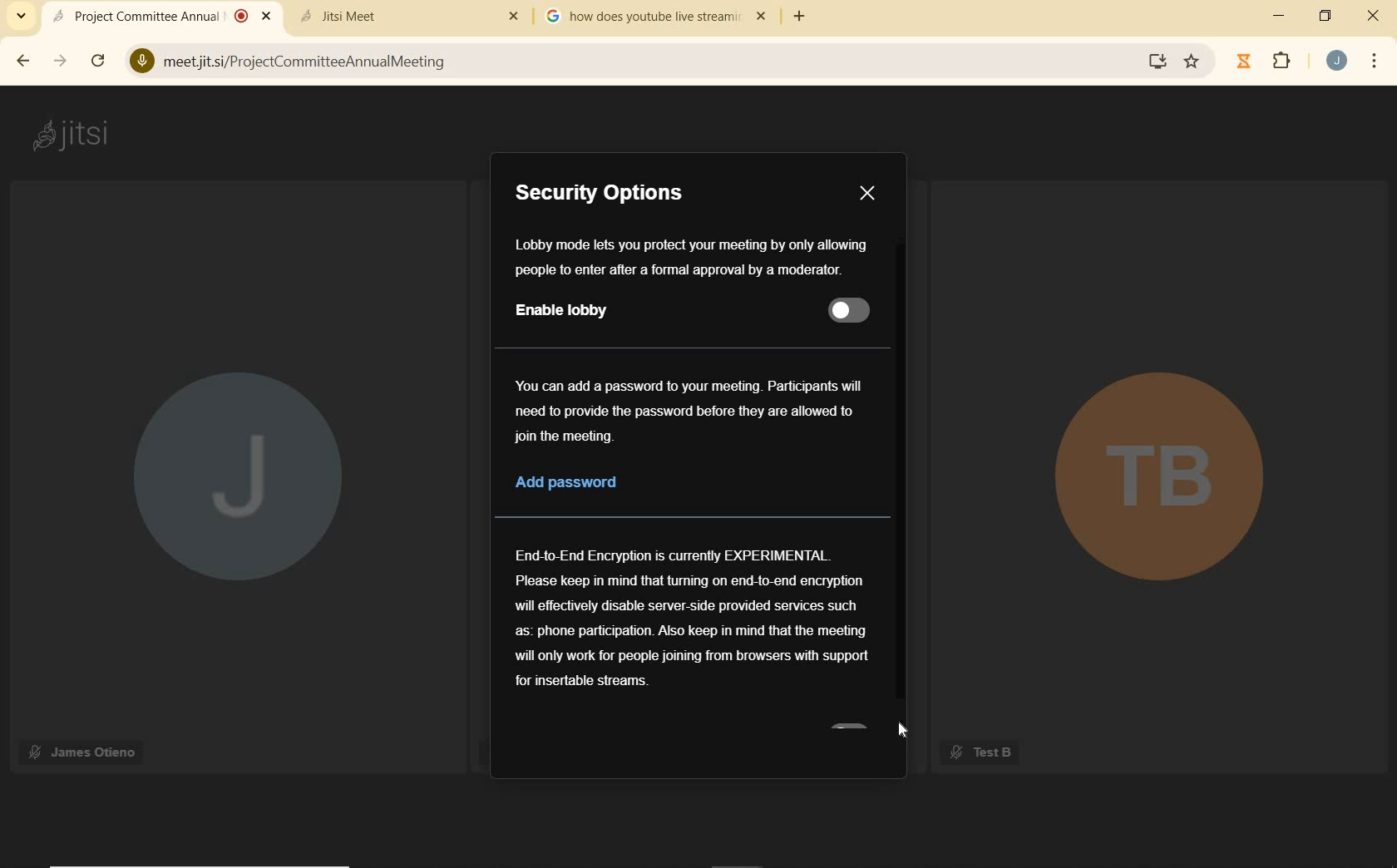  I want to click on RELOAD, so click(98, 60).